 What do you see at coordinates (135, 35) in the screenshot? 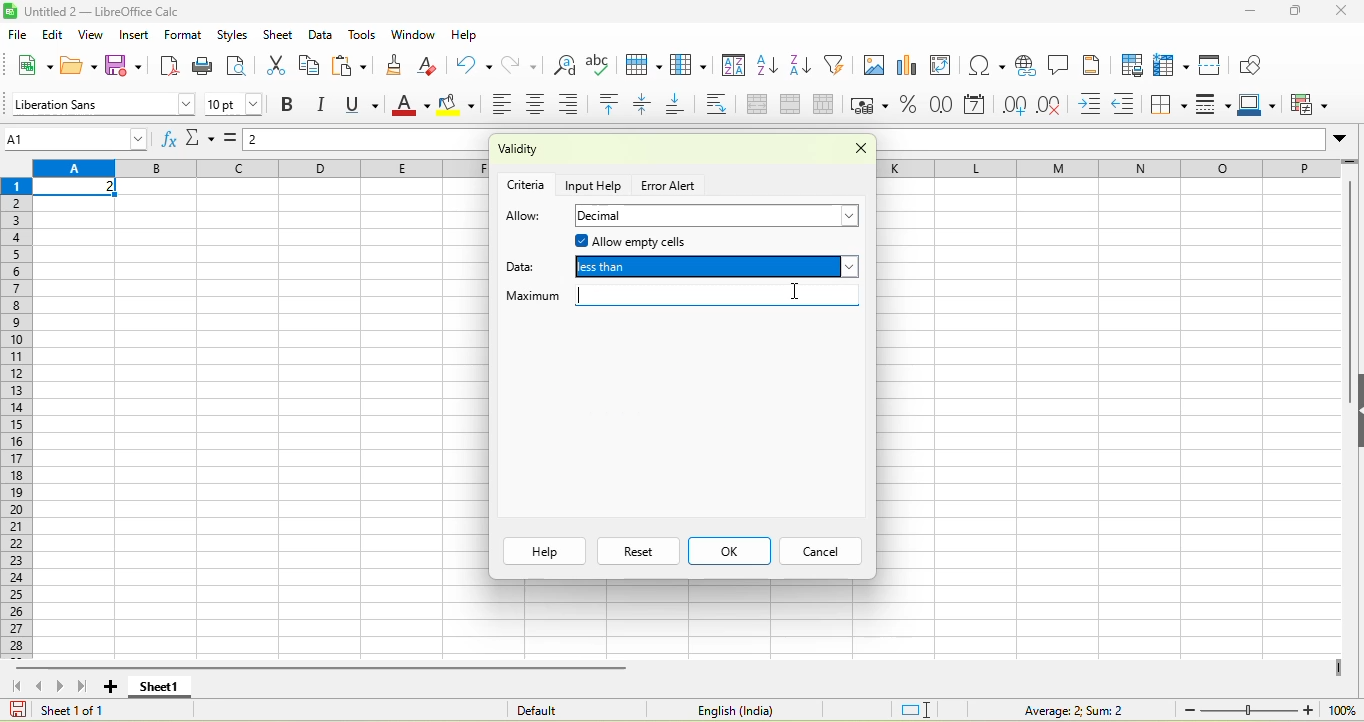
I see `insert` at bounding box center [135, 35].